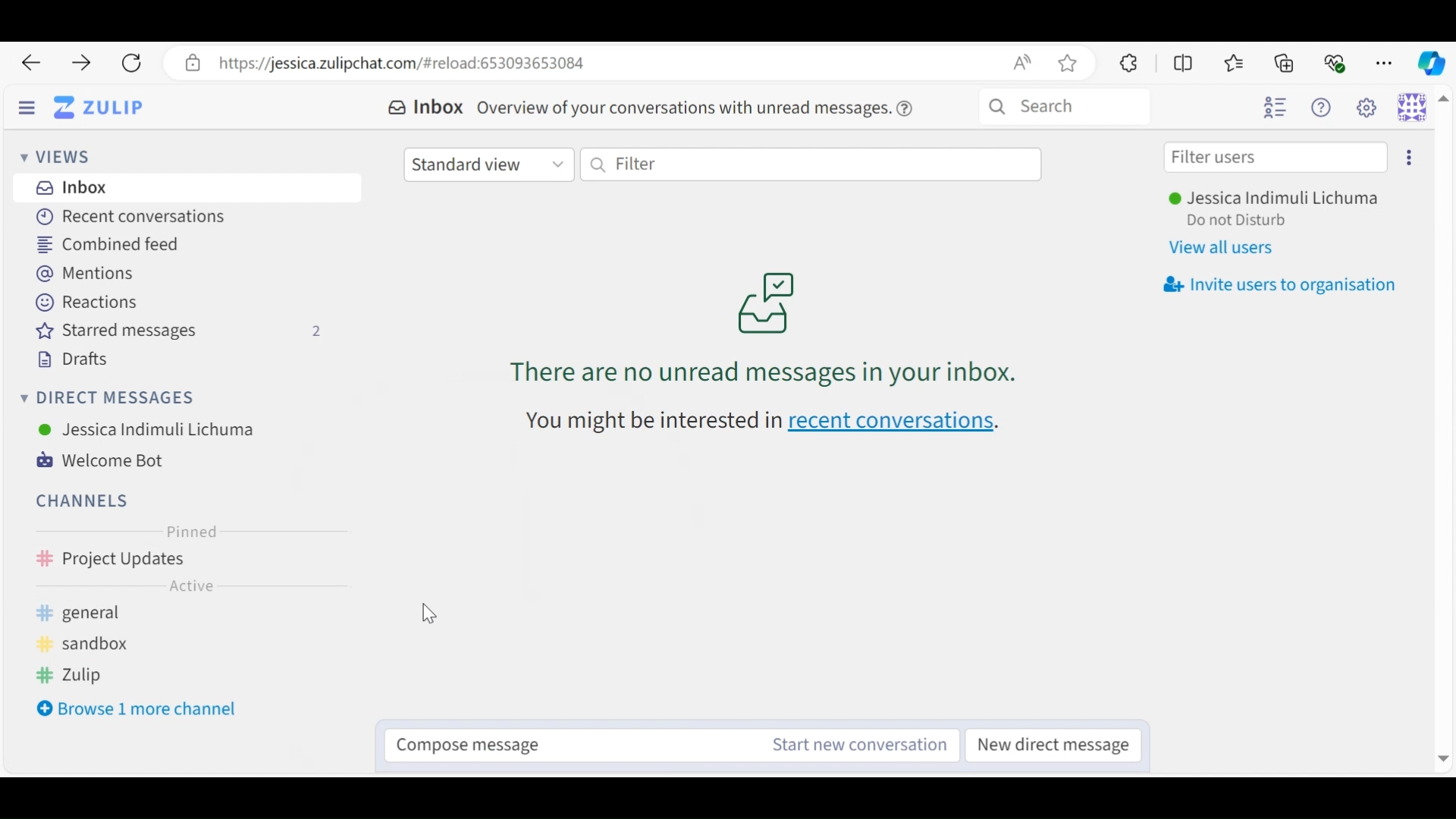 Image resolution: width=1456 pixels, height=819 pixels. What do you see at coordinates (1412, 106) in the screenshot?
I see `Personal menu` at bounding box center [1412, 106].